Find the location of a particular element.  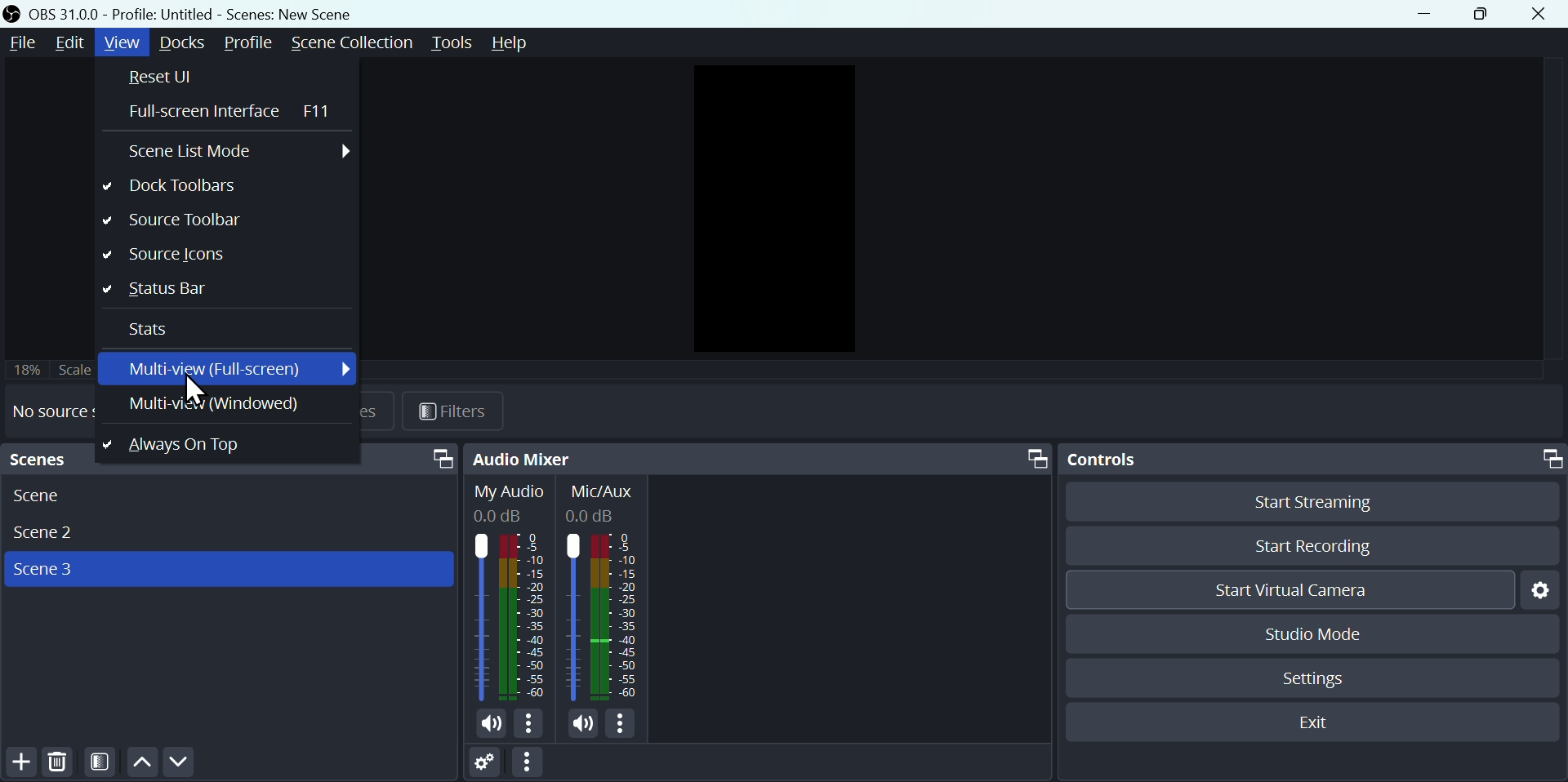

Stats is located at coordinates (224, 331).